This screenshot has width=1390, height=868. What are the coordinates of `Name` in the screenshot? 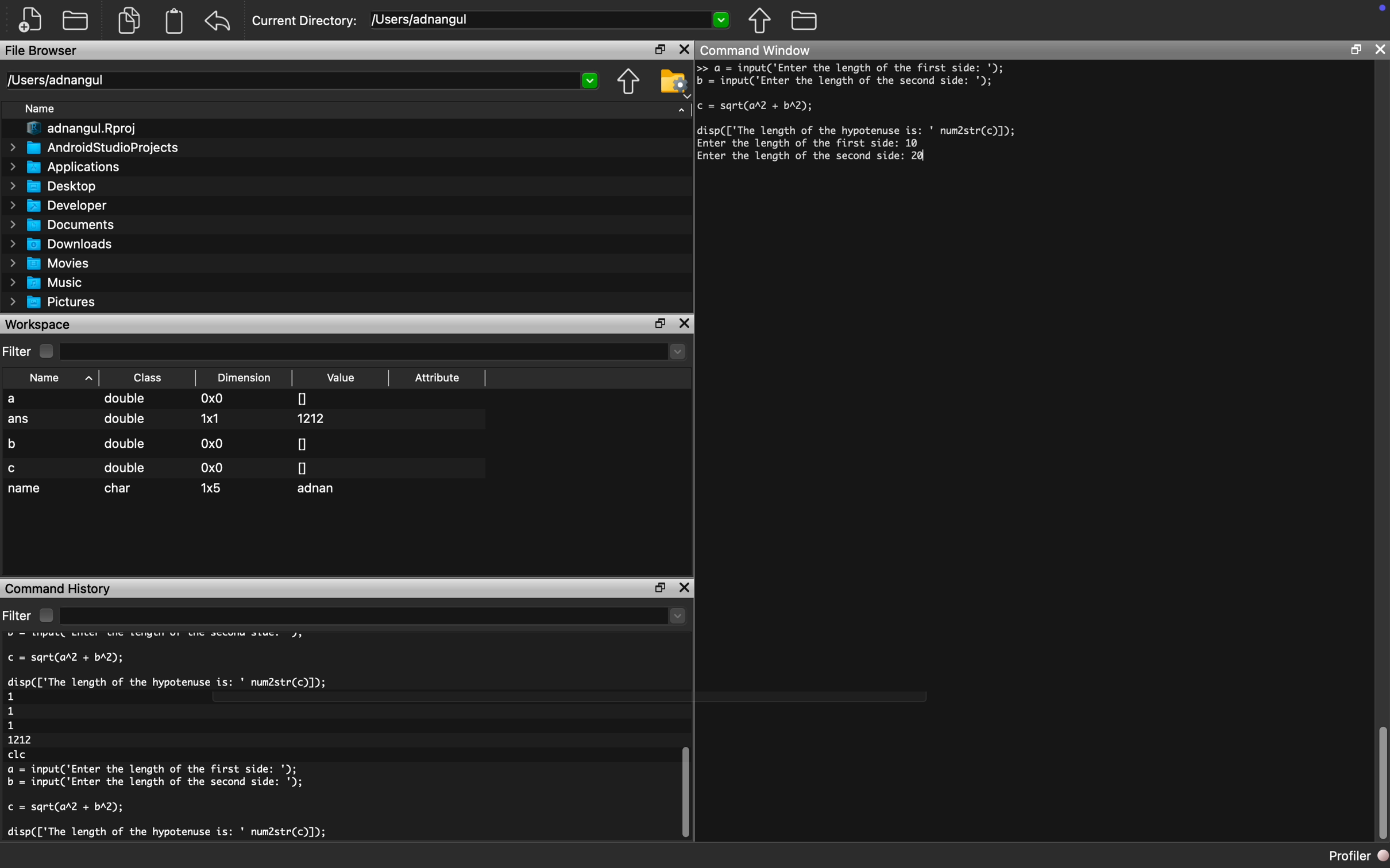 It's located at (54, 377).